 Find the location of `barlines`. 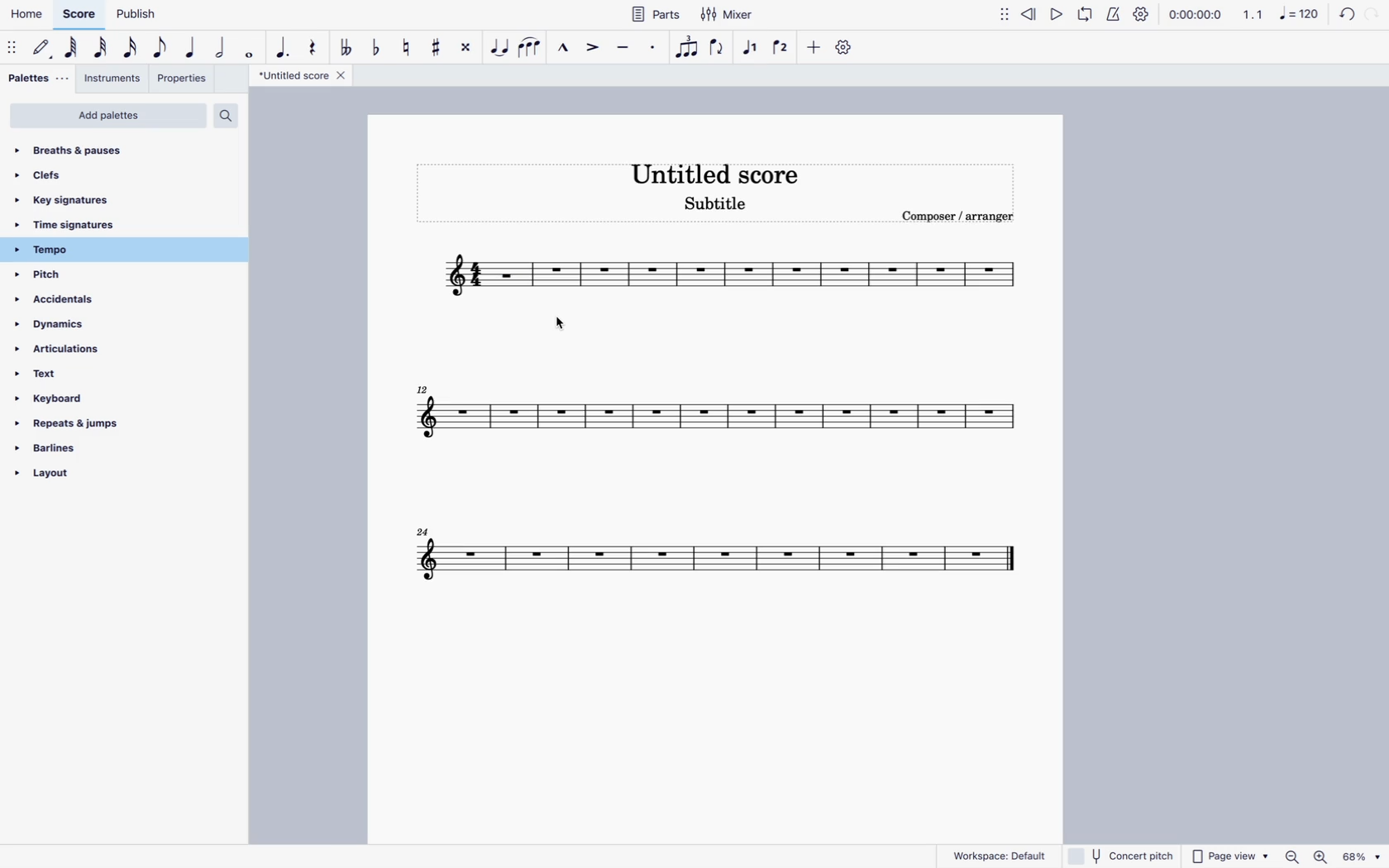

barlines is located at coordinates (78, 451).